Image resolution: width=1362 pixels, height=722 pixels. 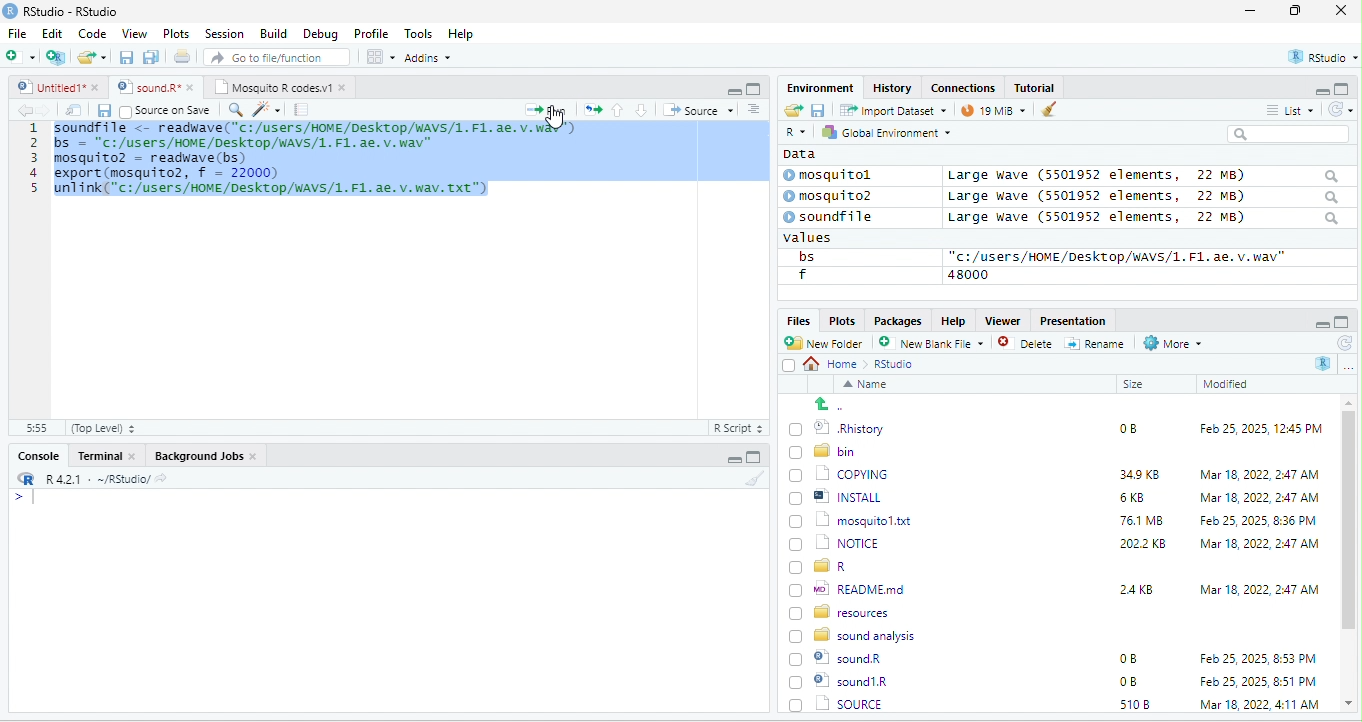 What do you see at coordinates (542, 110) in the screenshot?
I see `Run` at bounding box center [542, 110].